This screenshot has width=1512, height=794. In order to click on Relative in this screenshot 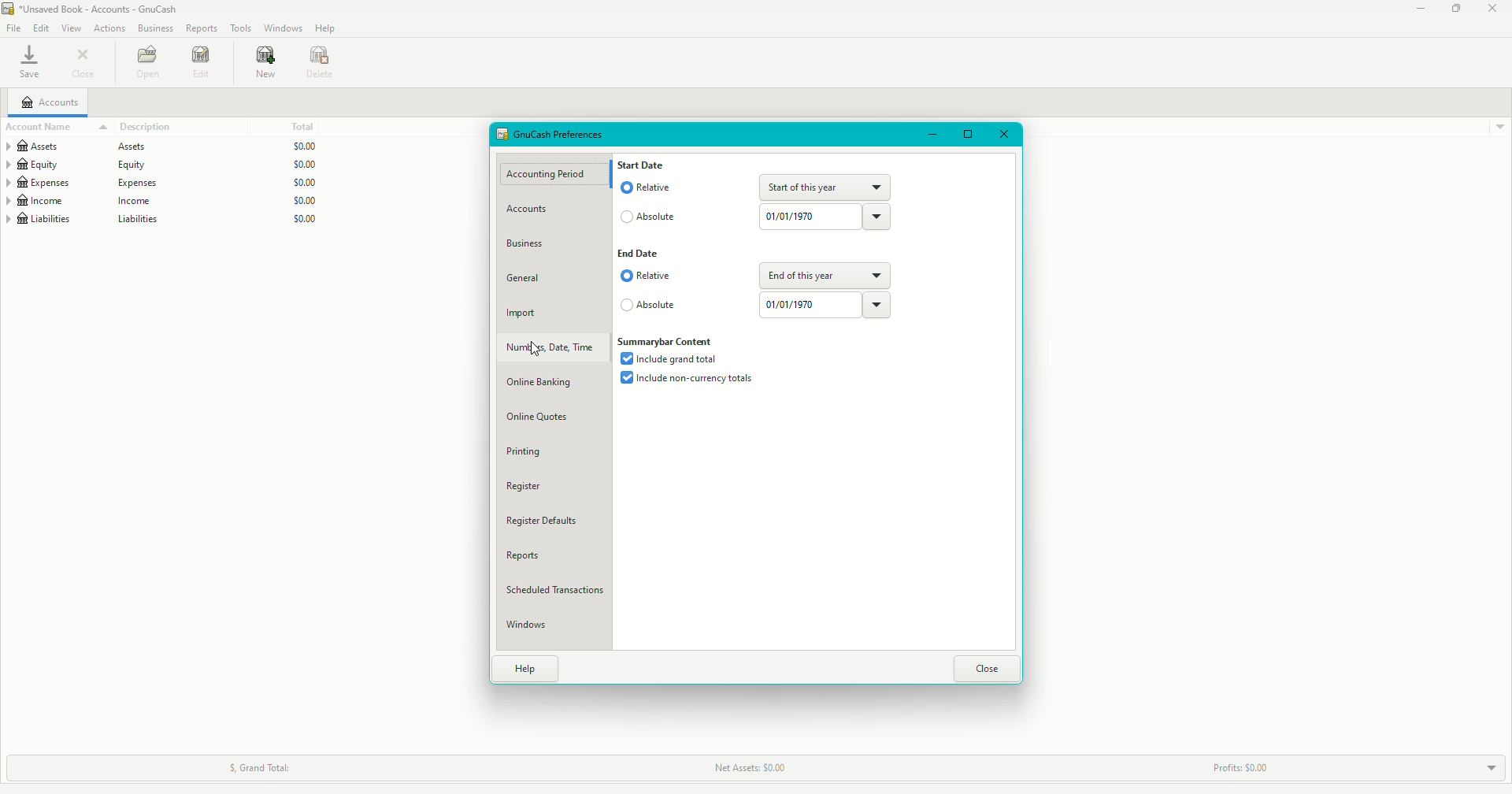, I will do `click(649, 187)`.